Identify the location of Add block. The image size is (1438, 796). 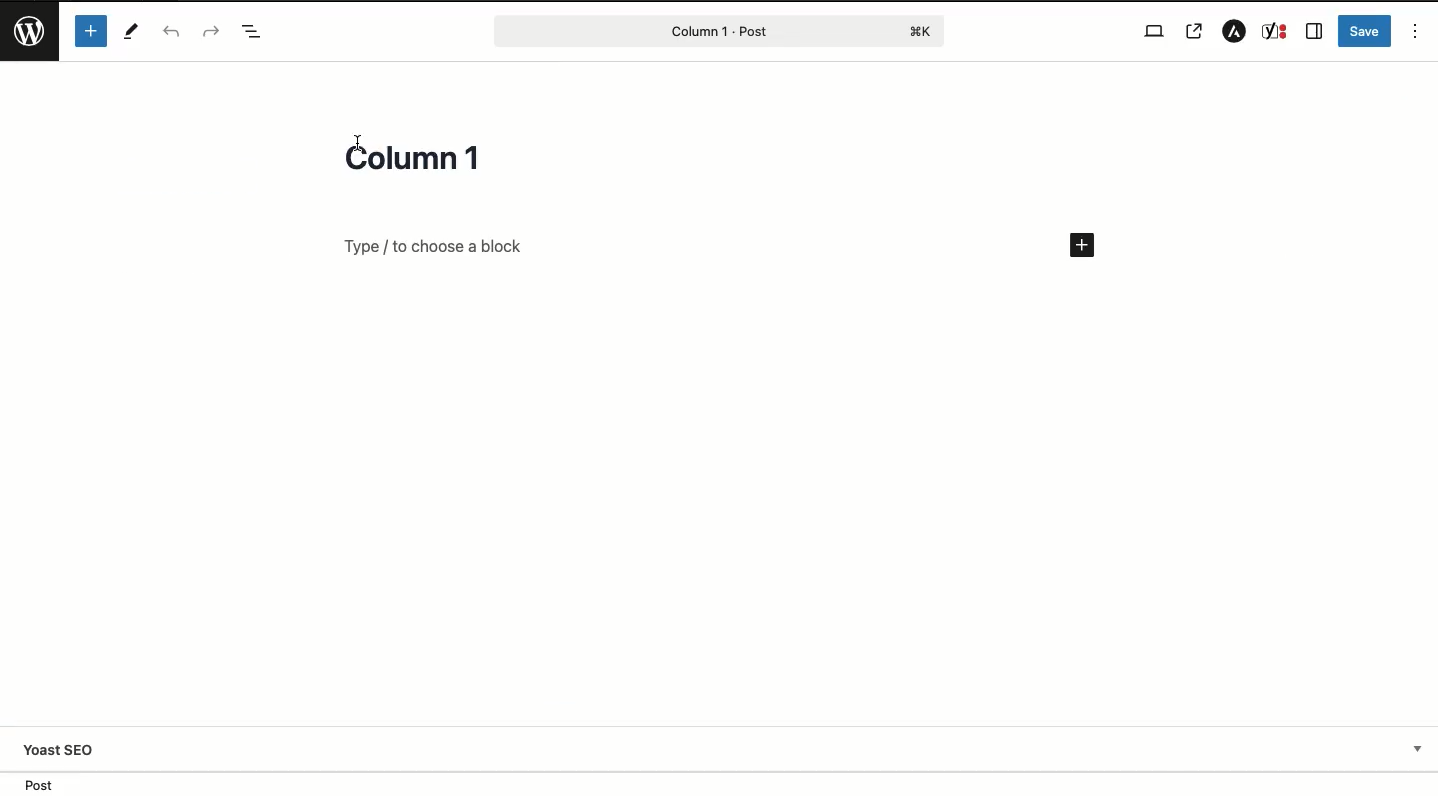
(668, 246).